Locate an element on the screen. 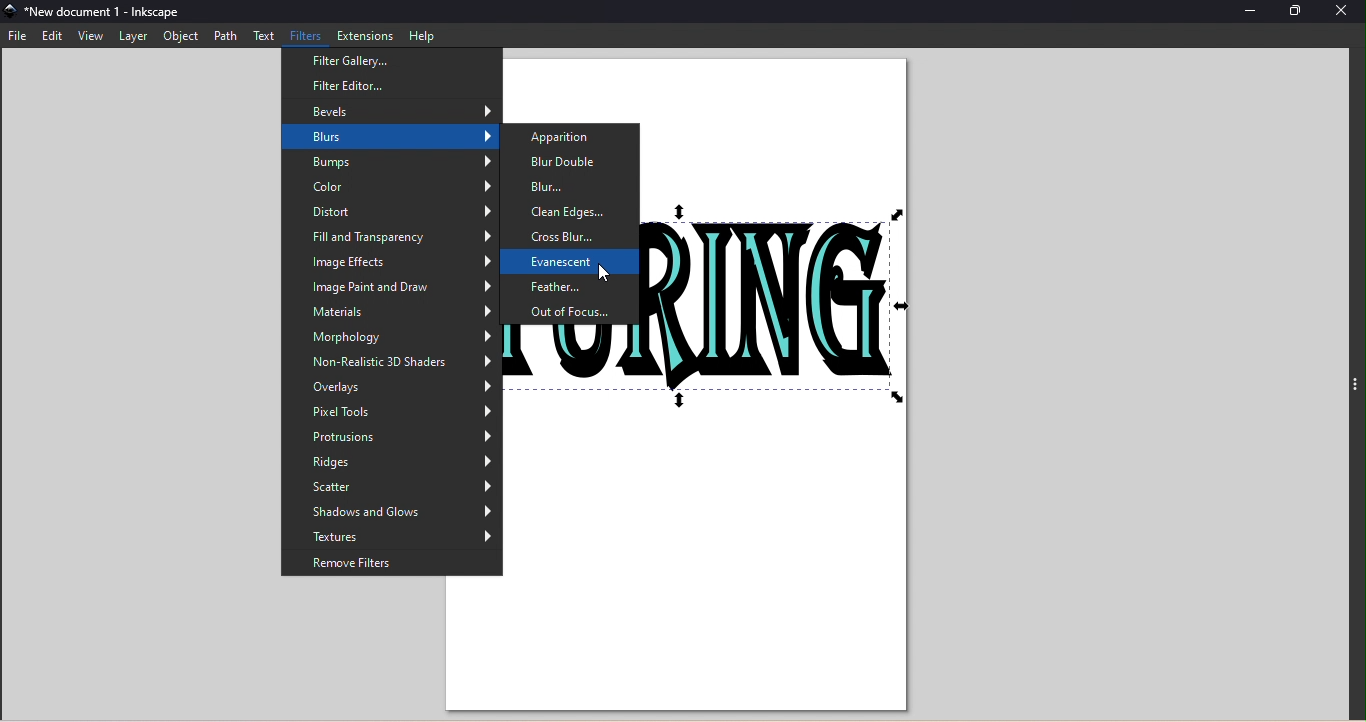 This screenshot has width=1366, height=722. Close is located at coordinates (1342, 13).